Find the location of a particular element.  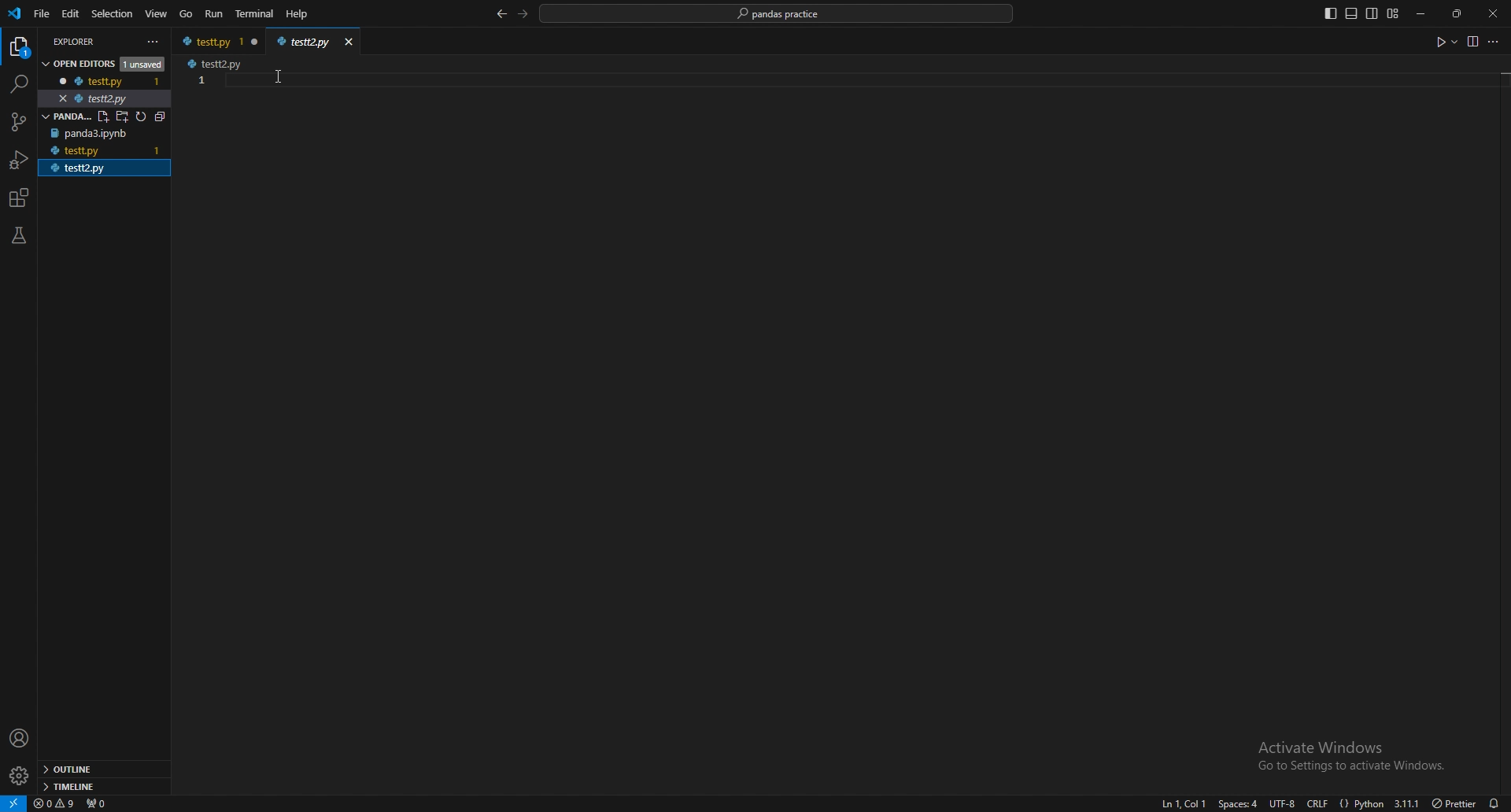

cursor is located at coordinates (275, 80).